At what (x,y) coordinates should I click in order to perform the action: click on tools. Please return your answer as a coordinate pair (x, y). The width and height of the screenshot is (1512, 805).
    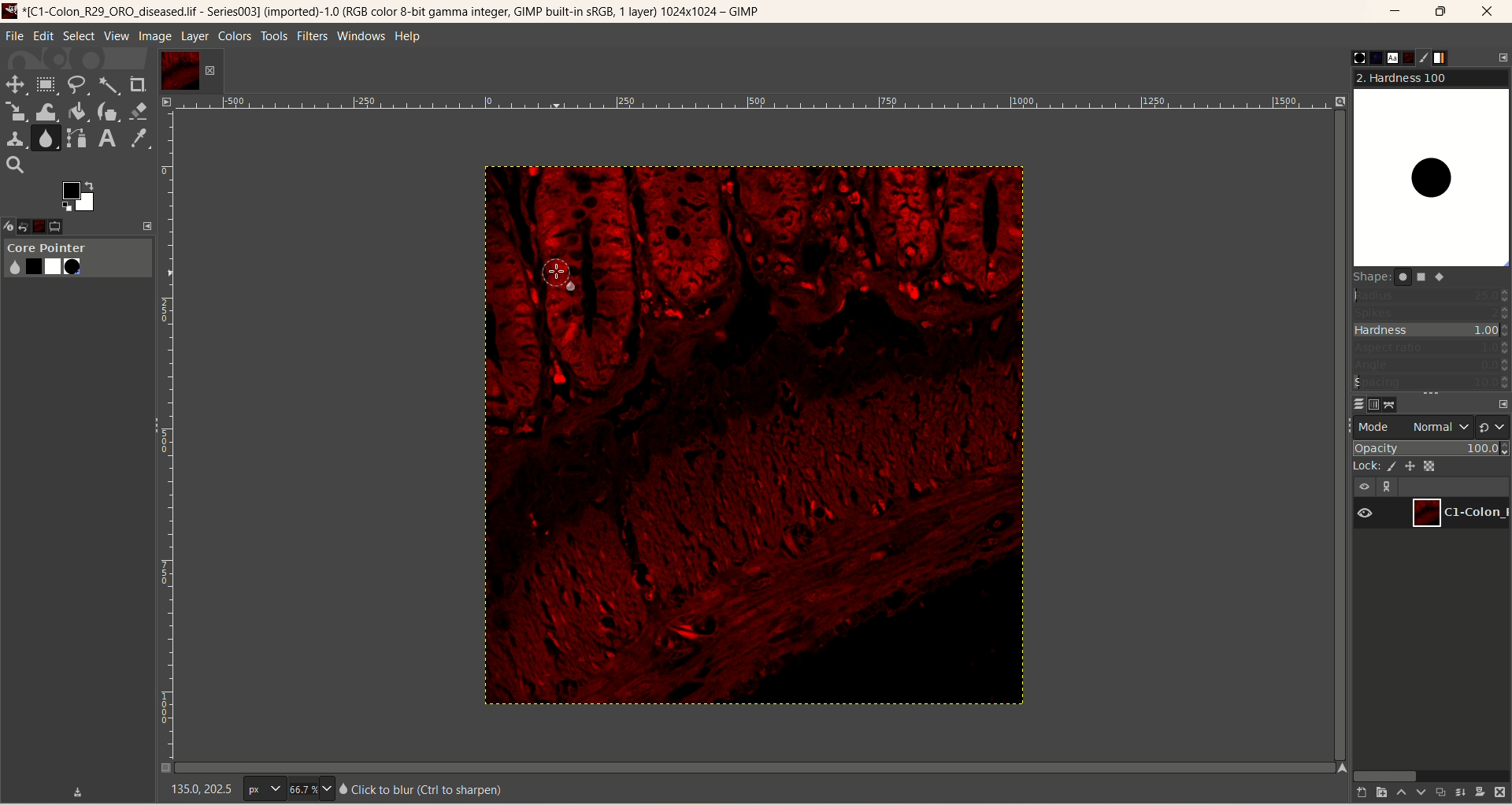
    Looking at the image, I should click on (275, 36).